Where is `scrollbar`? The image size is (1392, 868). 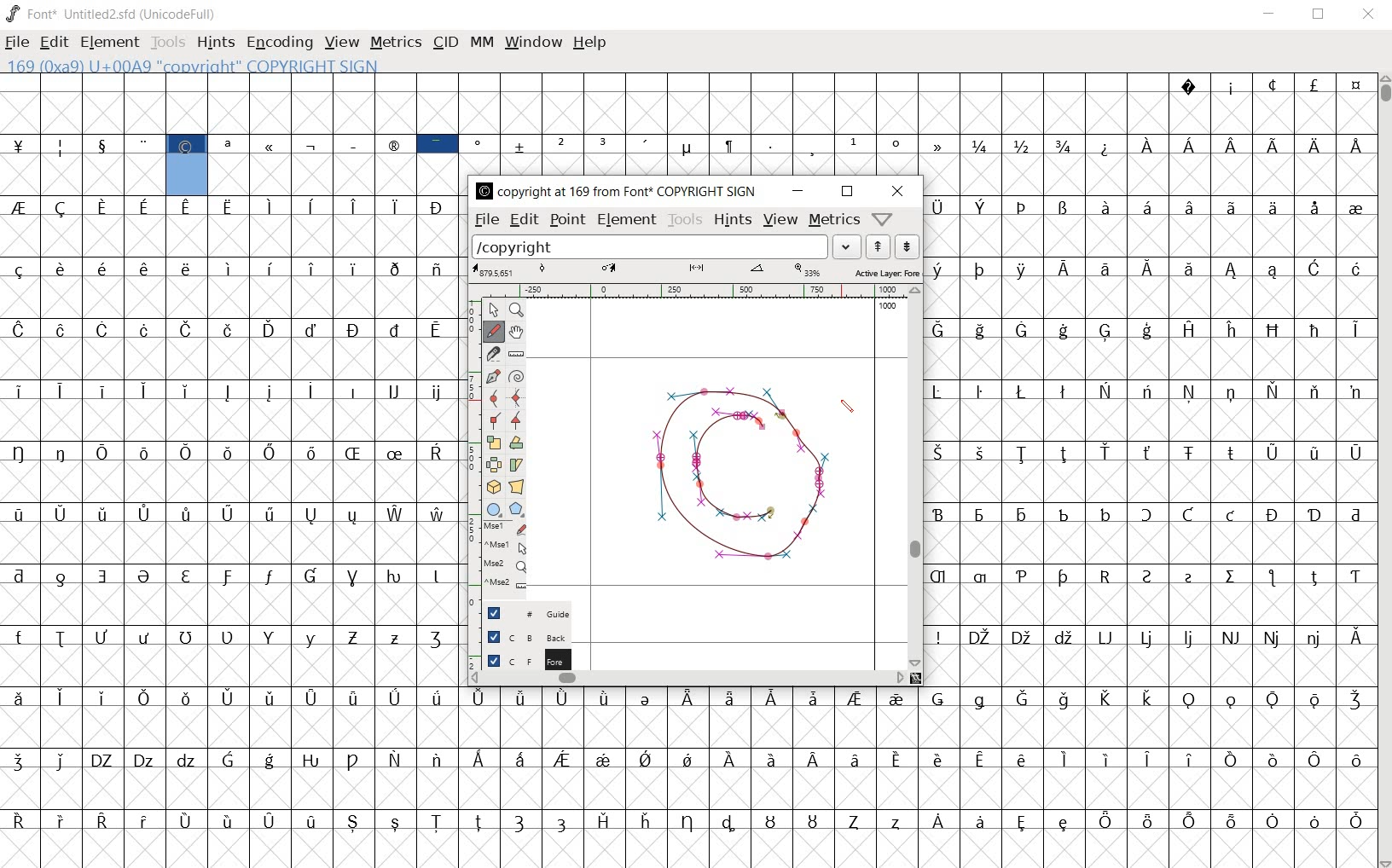
scrollbar is located at coordinates (1383, 472).